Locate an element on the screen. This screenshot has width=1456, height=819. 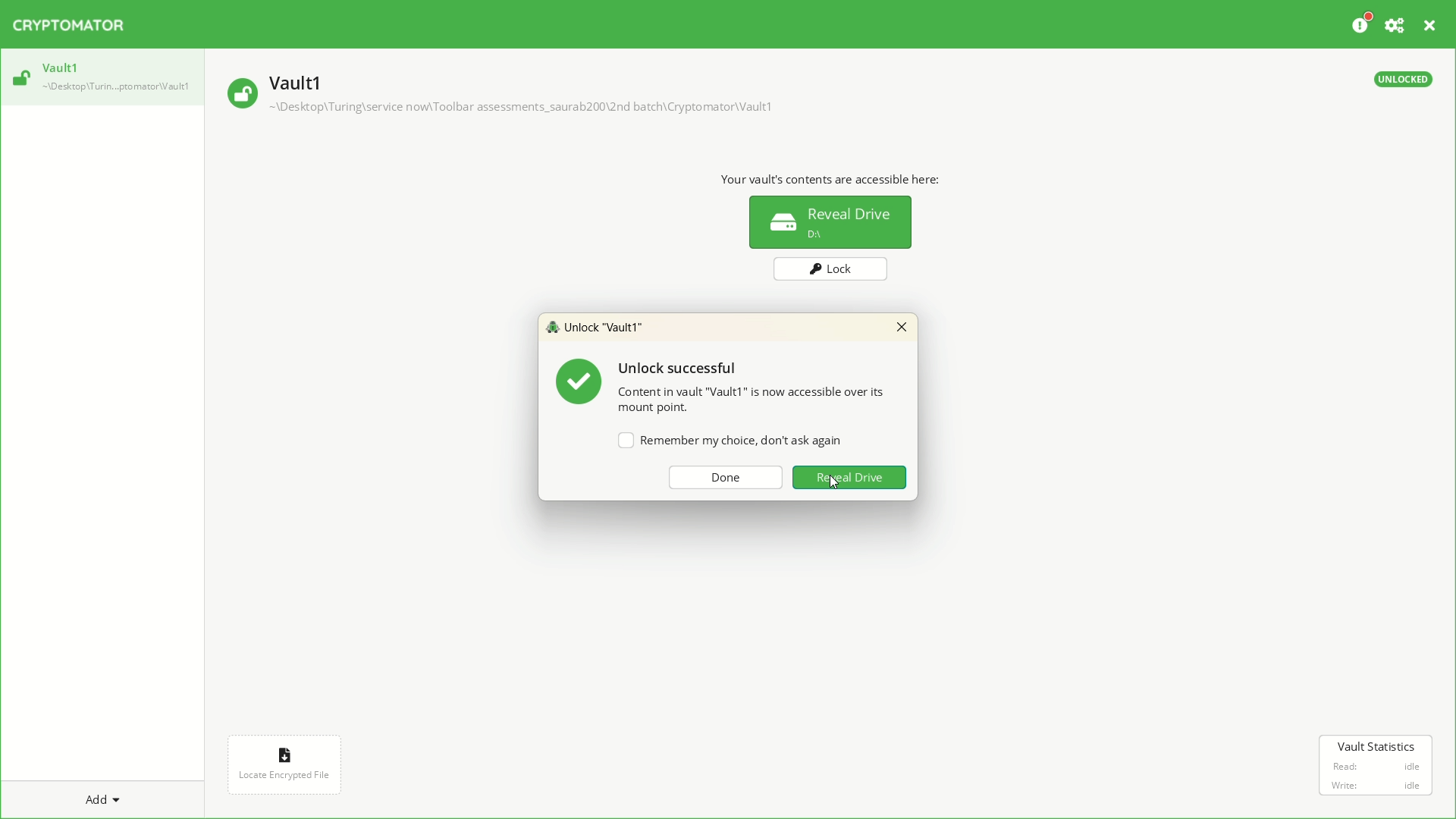
vault1 is located at coordinates (303, 79).